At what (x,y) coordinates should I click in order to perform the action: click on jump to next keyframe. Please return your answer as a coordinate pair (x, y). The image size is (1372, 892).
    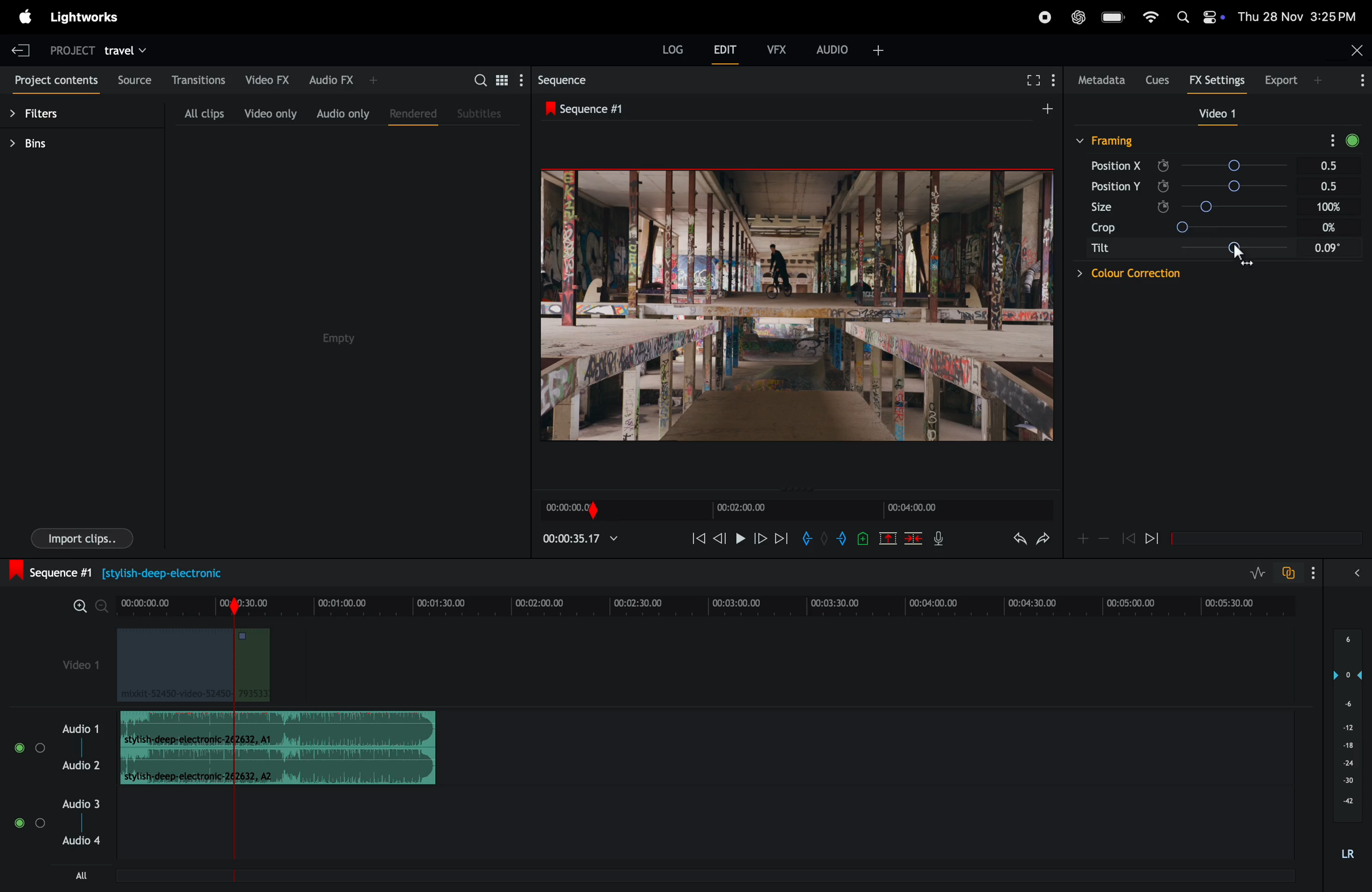
    Looking at the image, I should click on (1156, 538).